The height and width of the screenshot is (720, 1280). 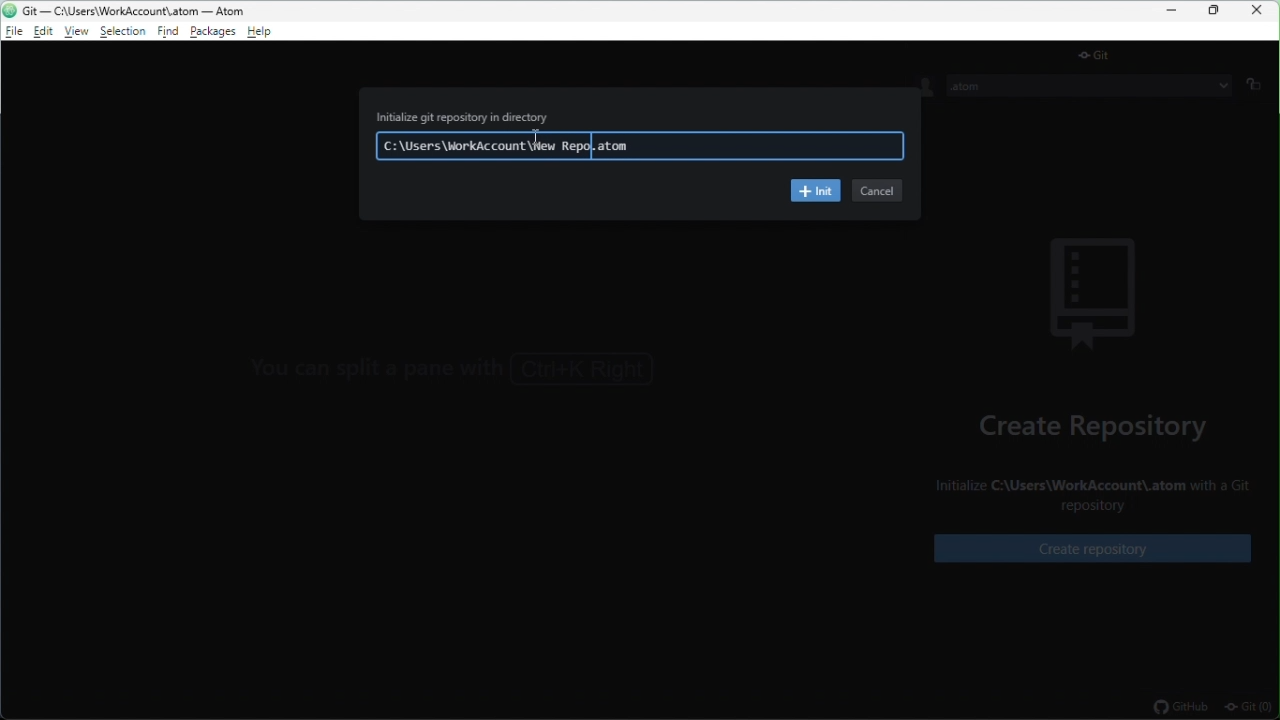 I want to click on find, so click(x=172, y=33).